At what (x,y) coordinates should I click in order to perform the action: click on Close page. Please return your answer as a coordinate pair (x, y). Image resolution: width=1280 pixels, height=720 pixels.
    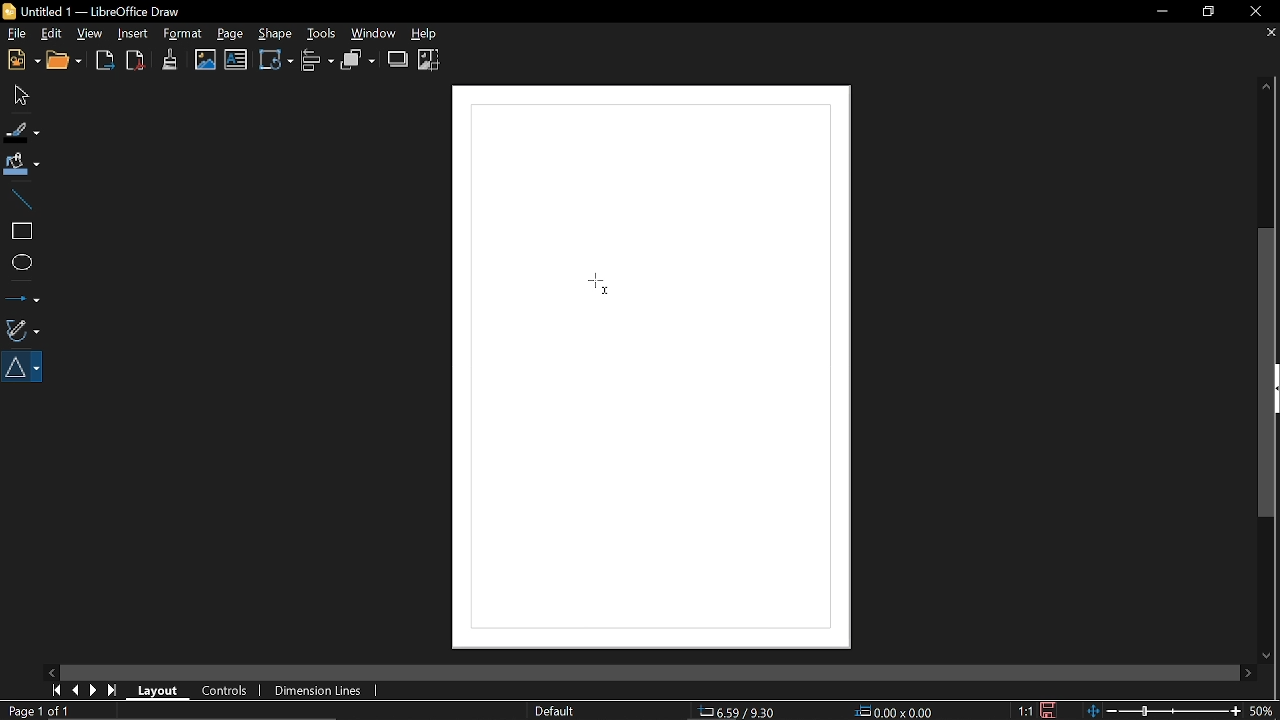
    Looking at the image, I should click on (1268, 33).